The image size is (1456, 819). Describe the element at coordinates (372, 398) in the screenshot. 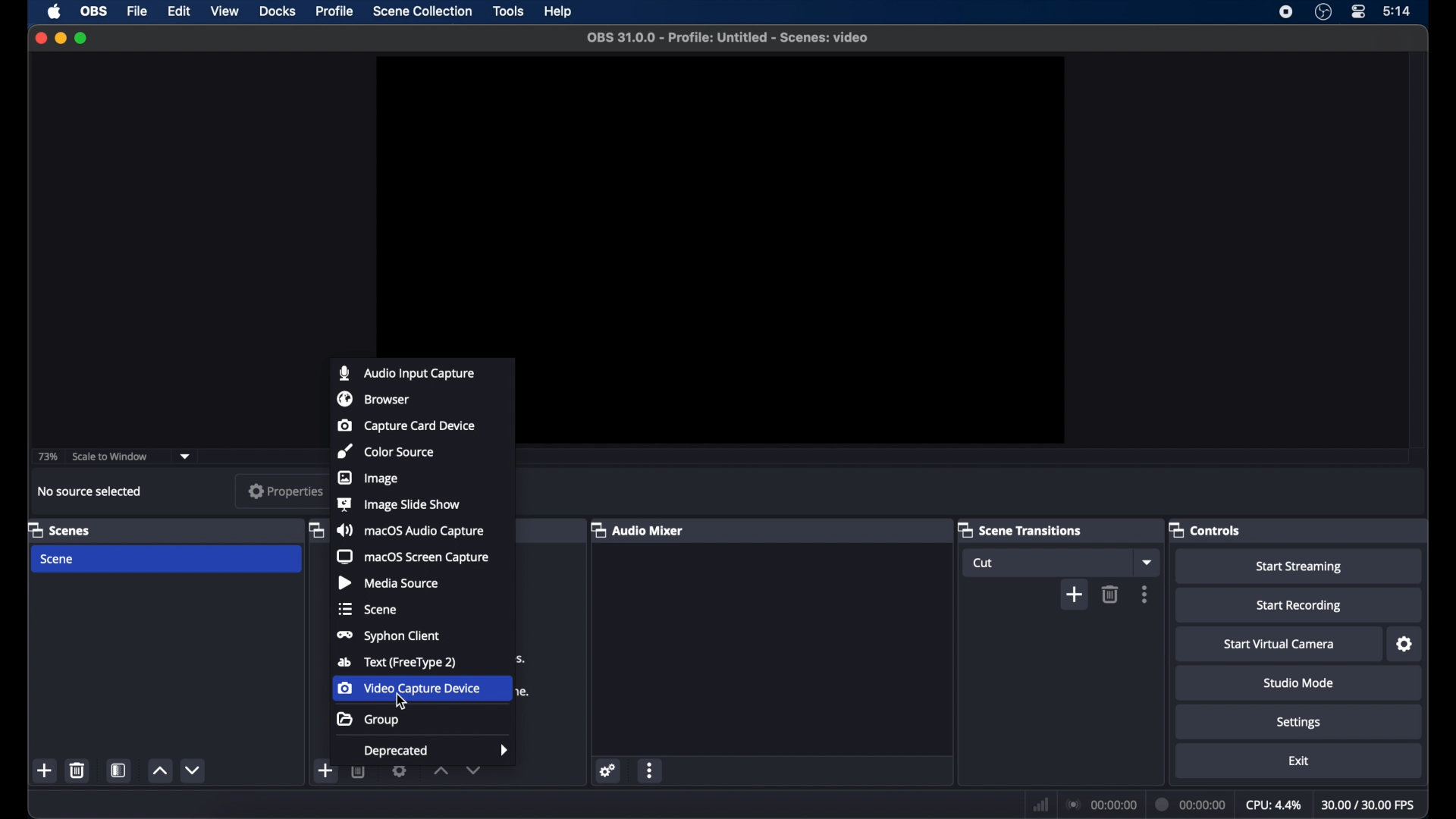

I see `browser` at that location.